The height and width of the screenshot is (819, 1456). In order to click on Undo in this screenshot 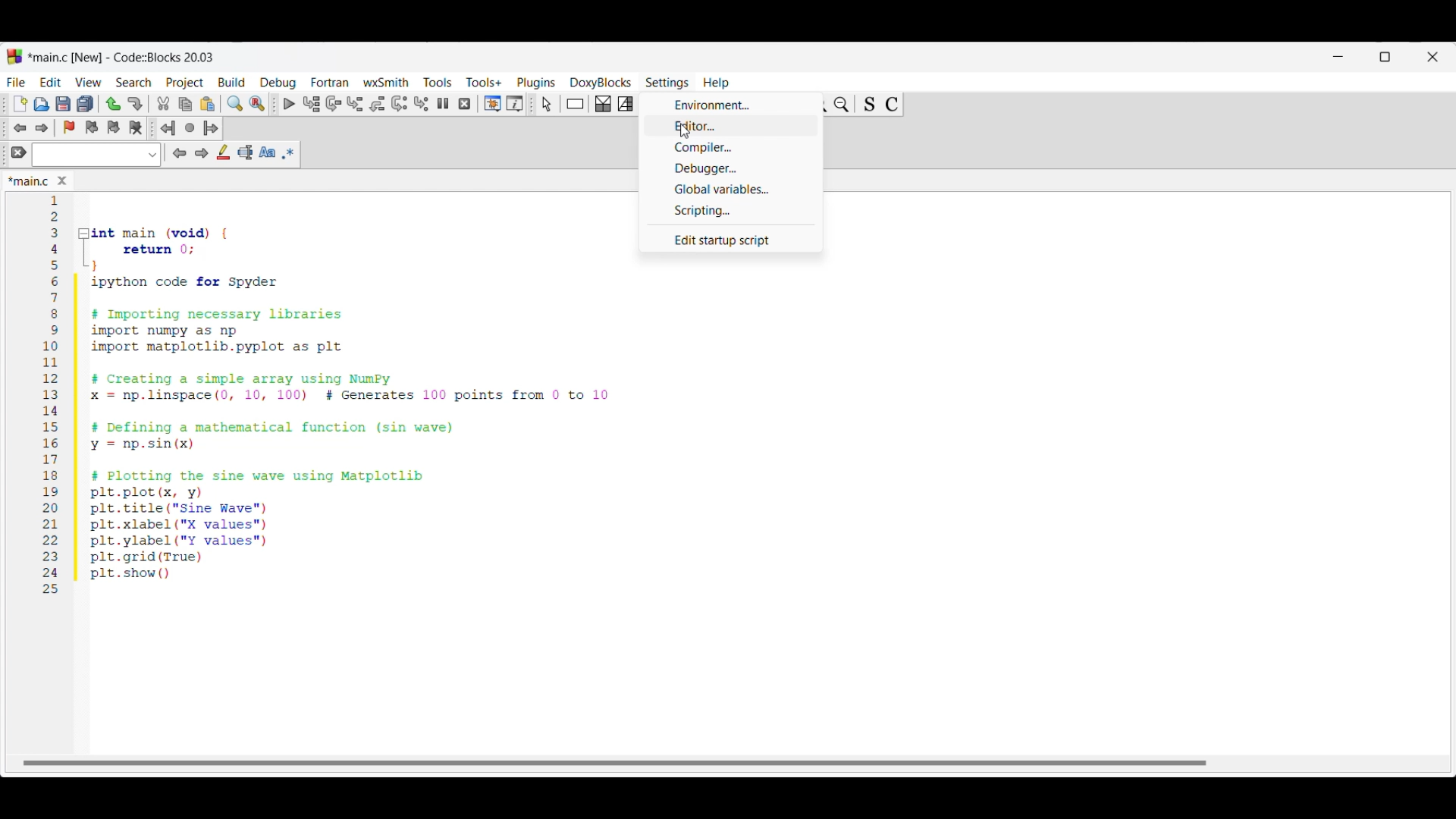, I will do `click(113, 104)`.